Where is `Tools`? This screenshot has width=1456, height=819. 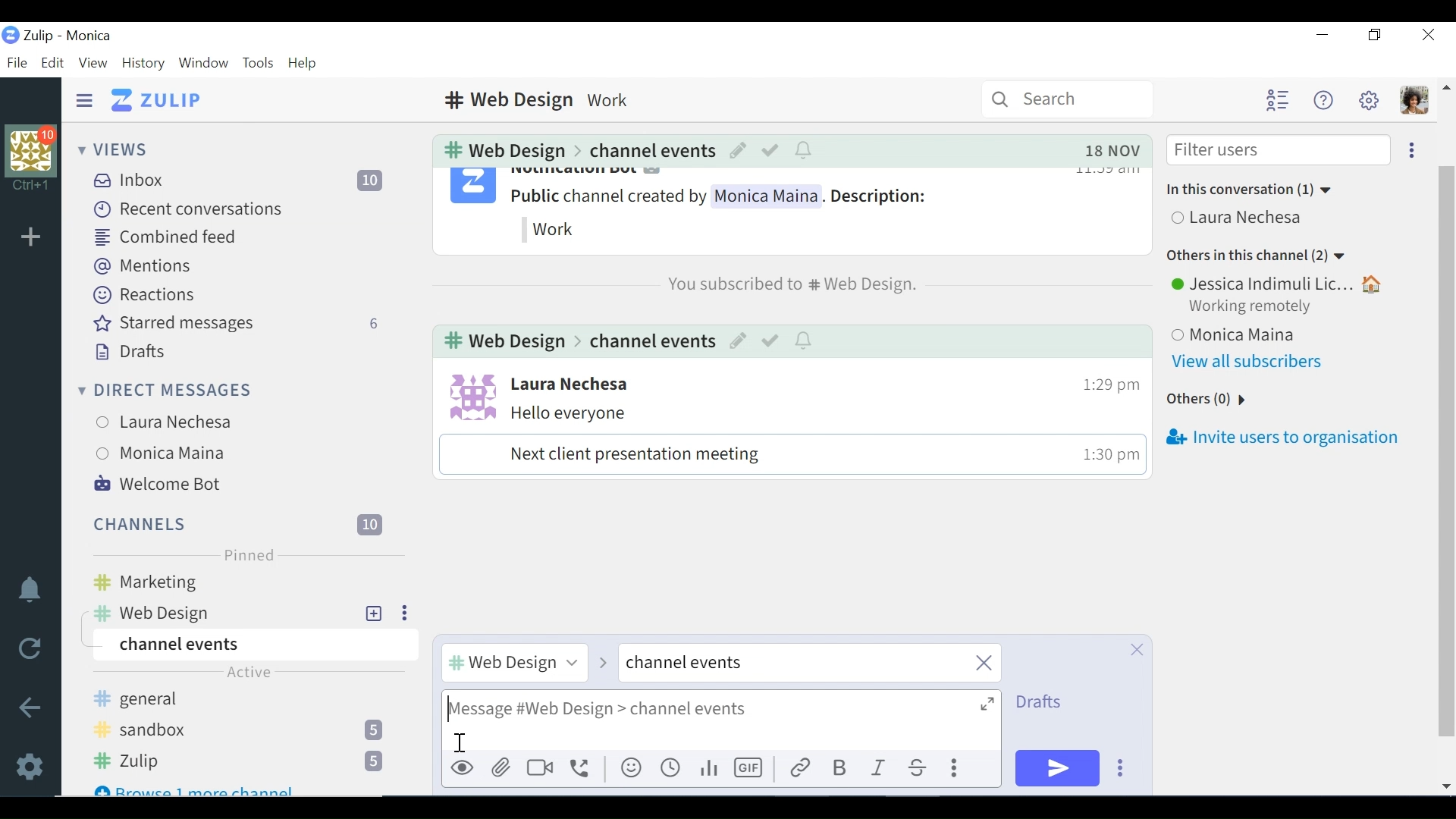
Tools is located at coordinates (257, 63).